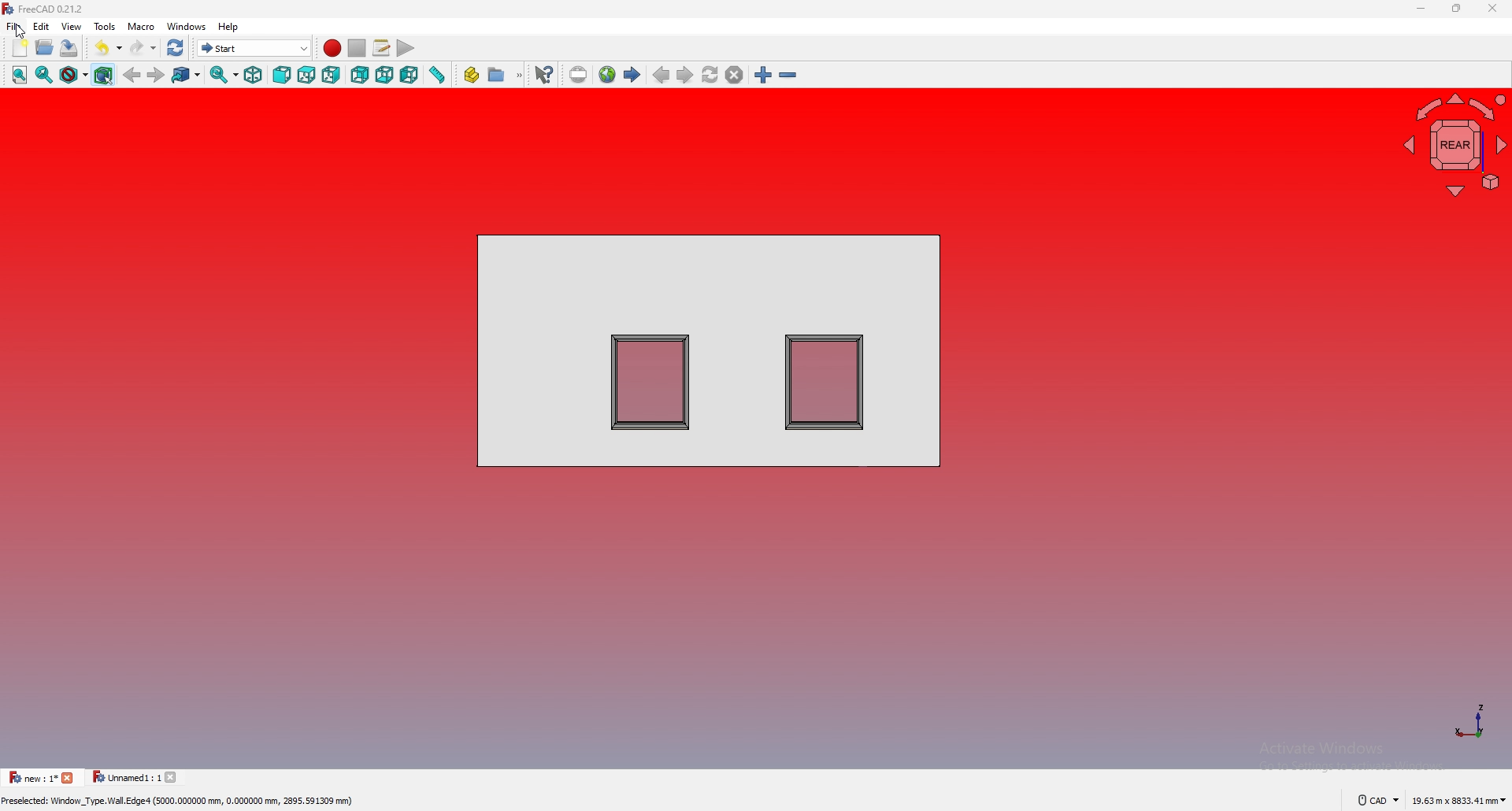 This screenshot has height=811, width=1512. What do you see at coordinates (104, 26) in the screenshot?
I see `tools` at bounding box center [104, 26].